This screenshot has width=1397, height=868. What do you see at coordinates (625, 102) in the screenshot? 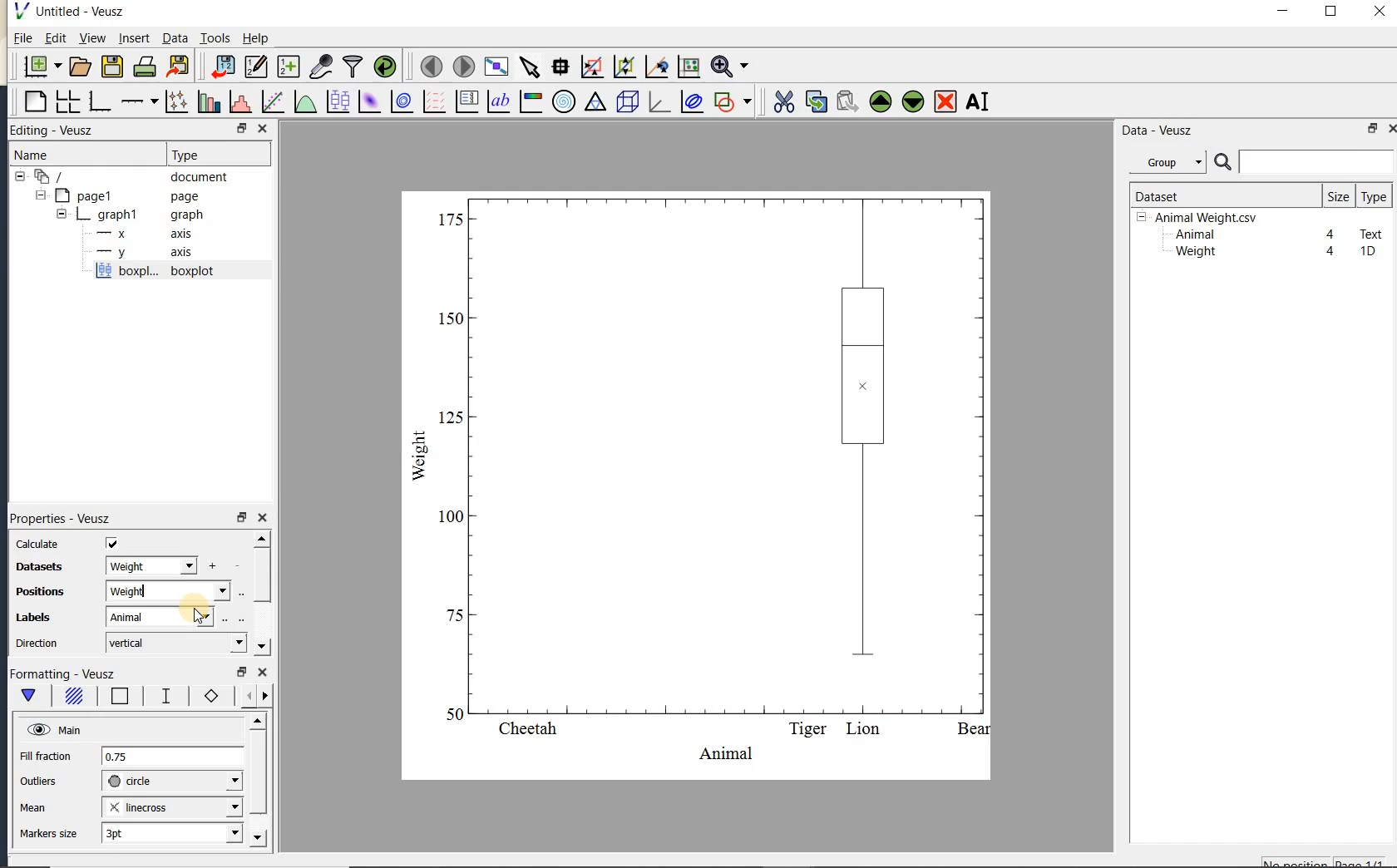
I see `3d scene` at bounding box center [625, 102].